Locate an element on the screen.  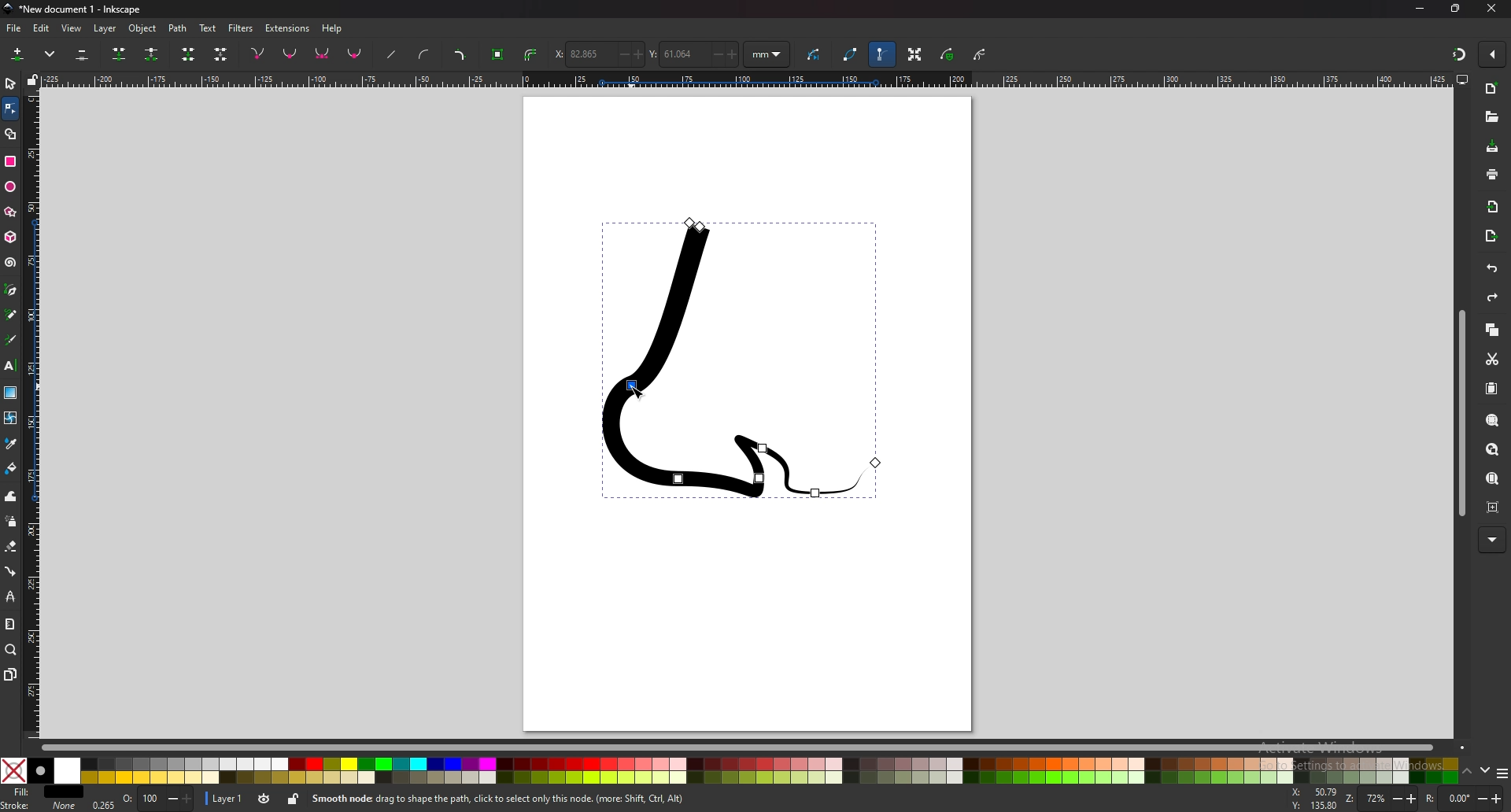
logo is located at coordinates (9, 9).